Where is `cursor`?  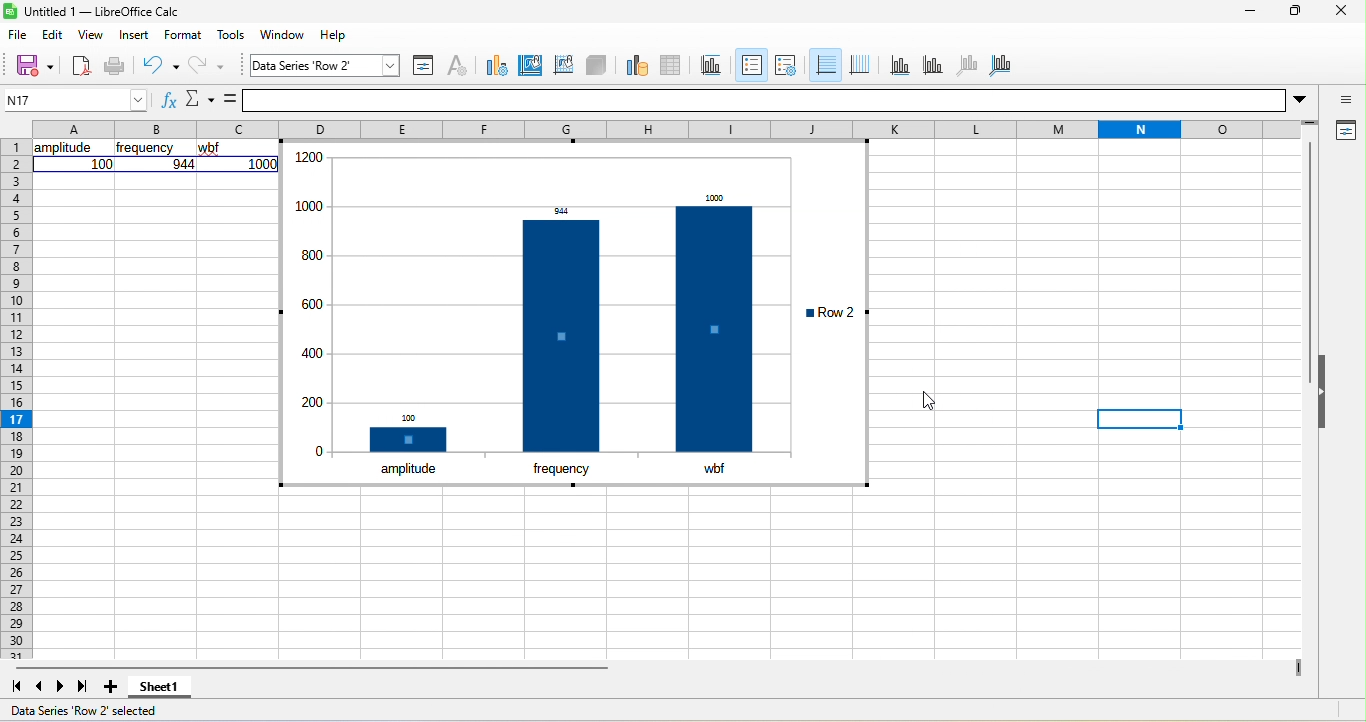 cursor is located at coordinates (924, 399).